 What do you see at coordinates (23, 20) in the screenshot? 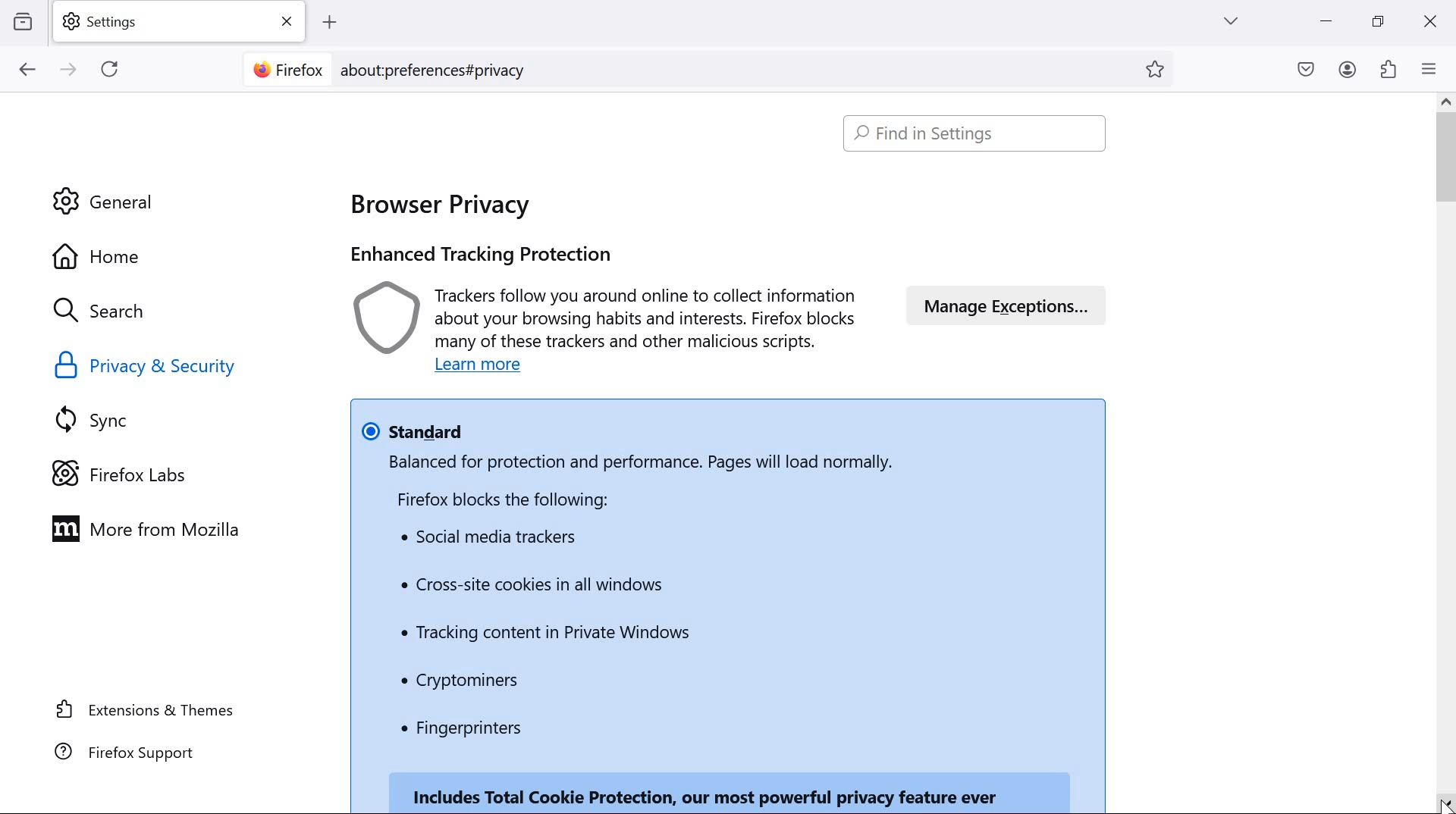
I see `view recent browsing across windows` at bounding box center [23, 20].